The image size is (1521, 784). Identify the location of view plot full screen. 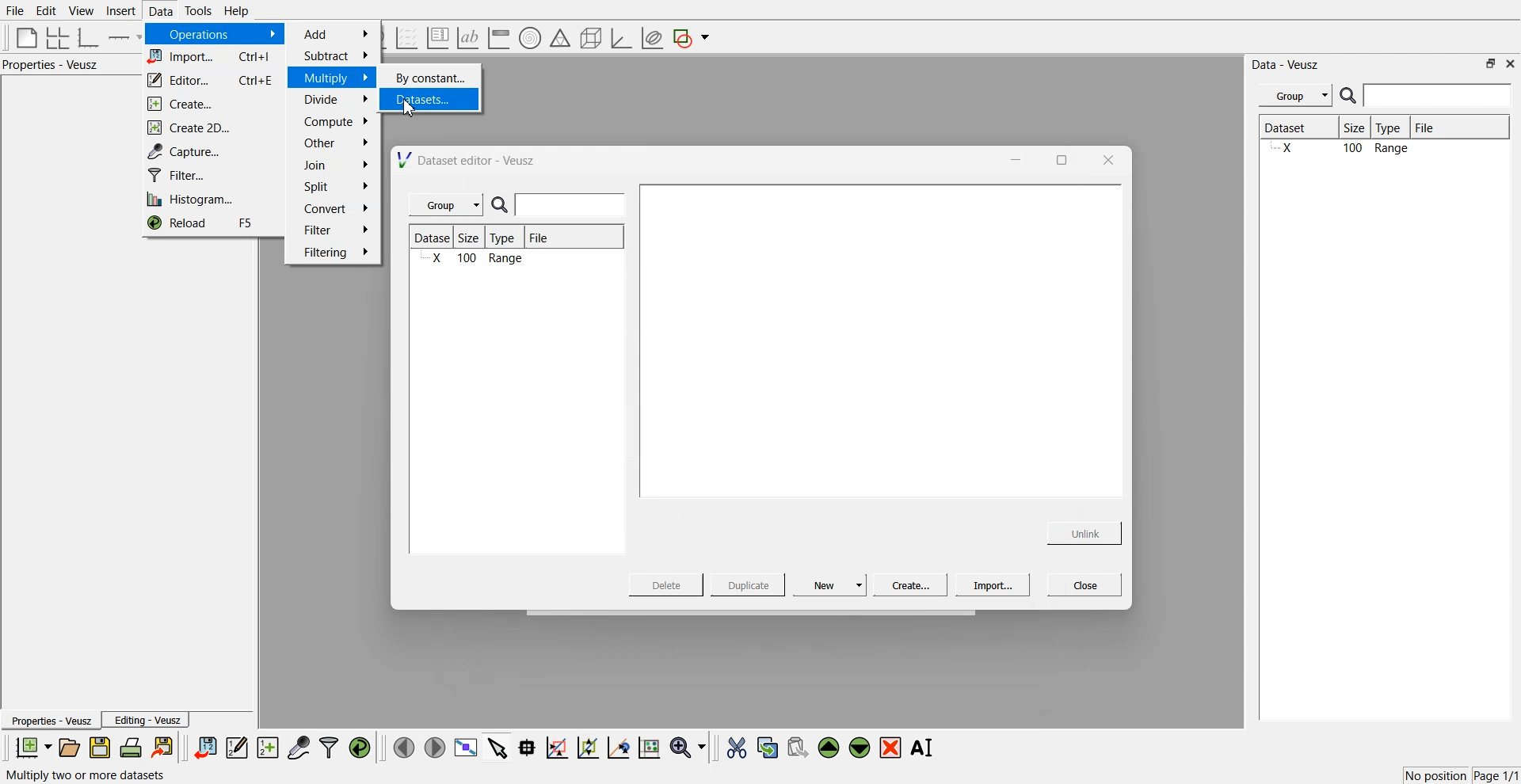
(465, 748).